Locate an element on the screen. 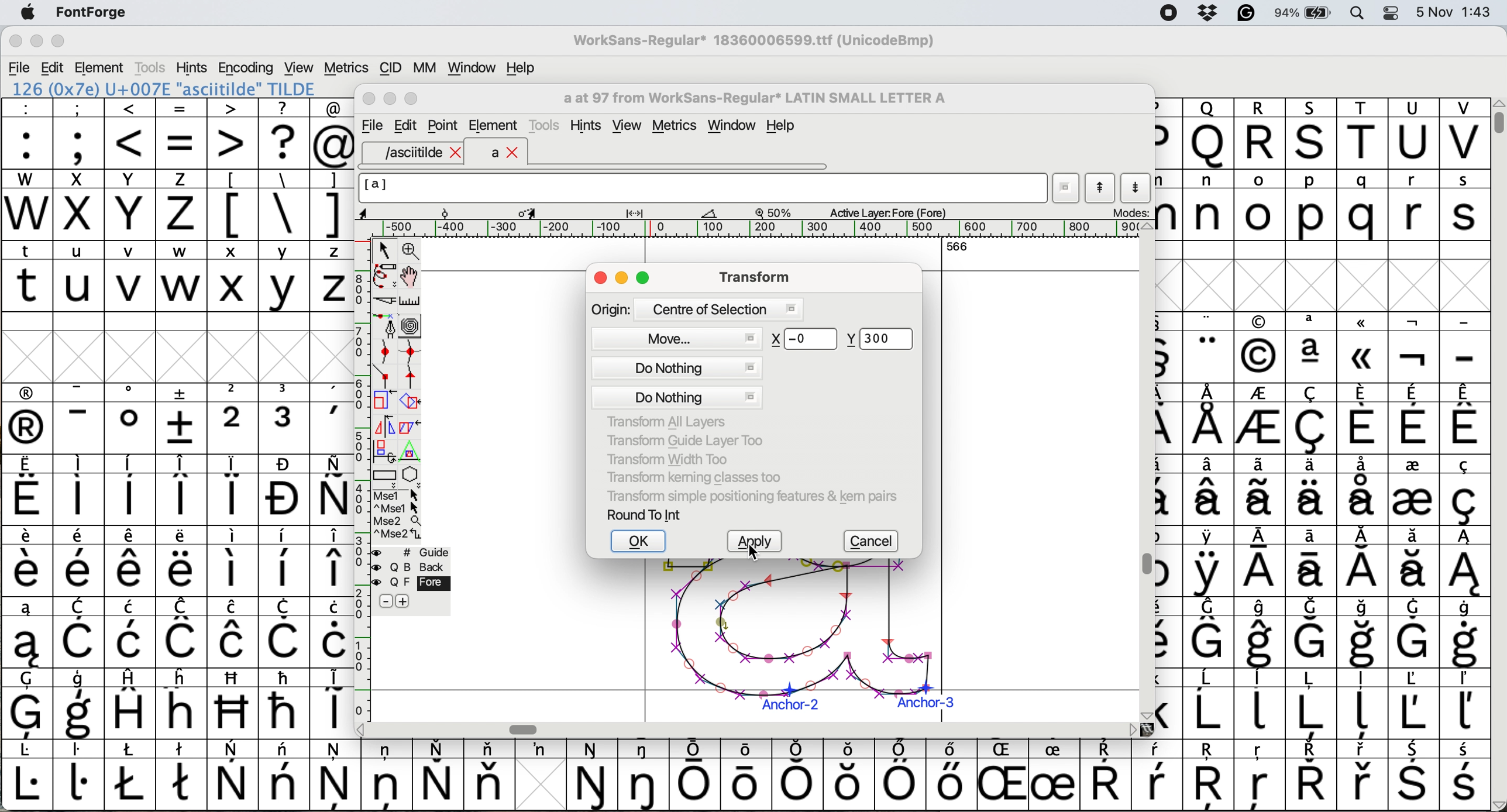  add a  point then drag out its control points is located at coordinates (386, 325).